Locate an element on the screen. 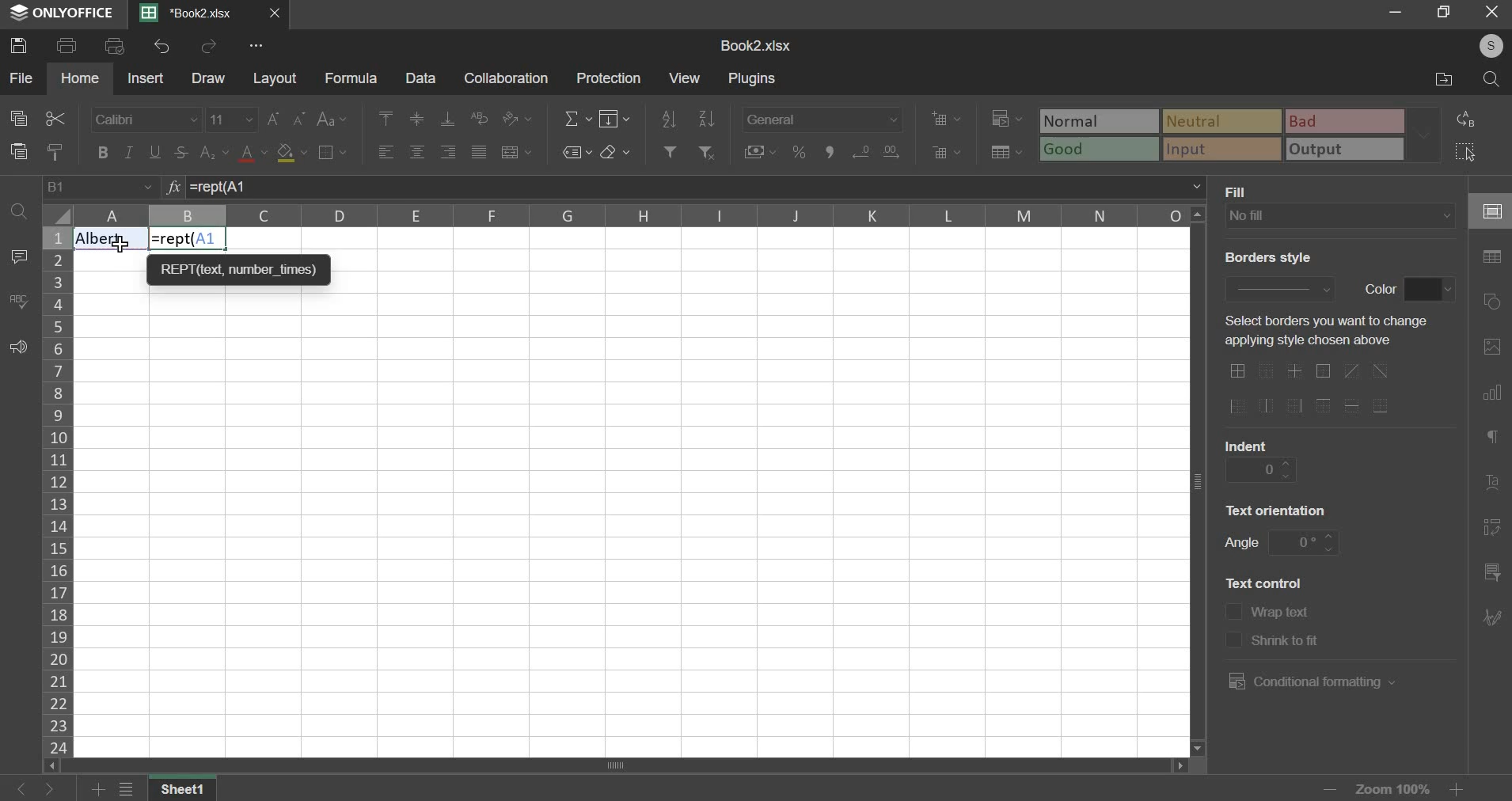 The image size is (1512, 801). horizontal alignment is located at coordinates (417, 152).